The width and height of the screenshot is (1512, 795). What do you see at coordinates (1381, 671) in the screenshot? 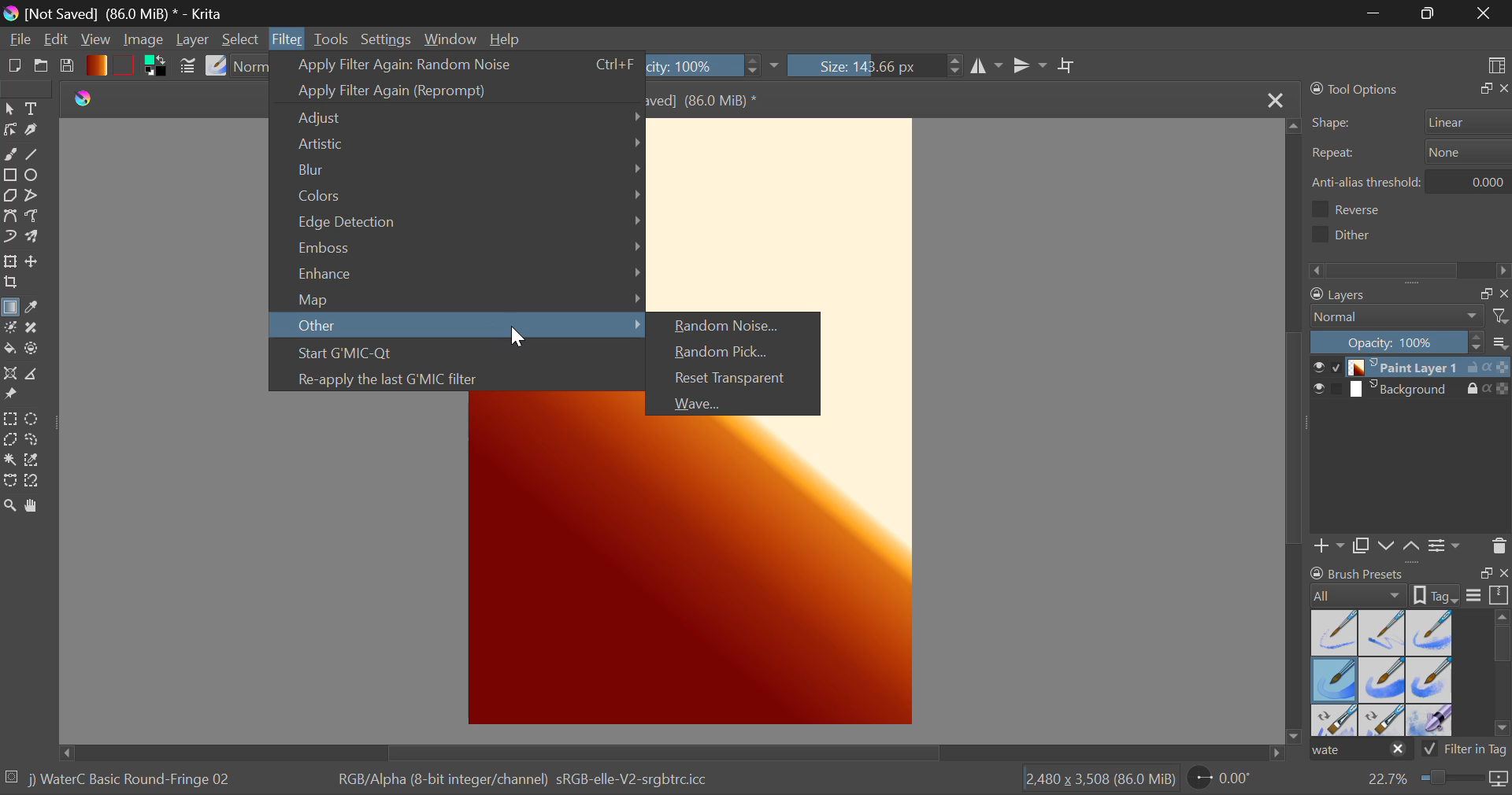
I see `Brush Presets Menu` at bounding box center [1381, 671].